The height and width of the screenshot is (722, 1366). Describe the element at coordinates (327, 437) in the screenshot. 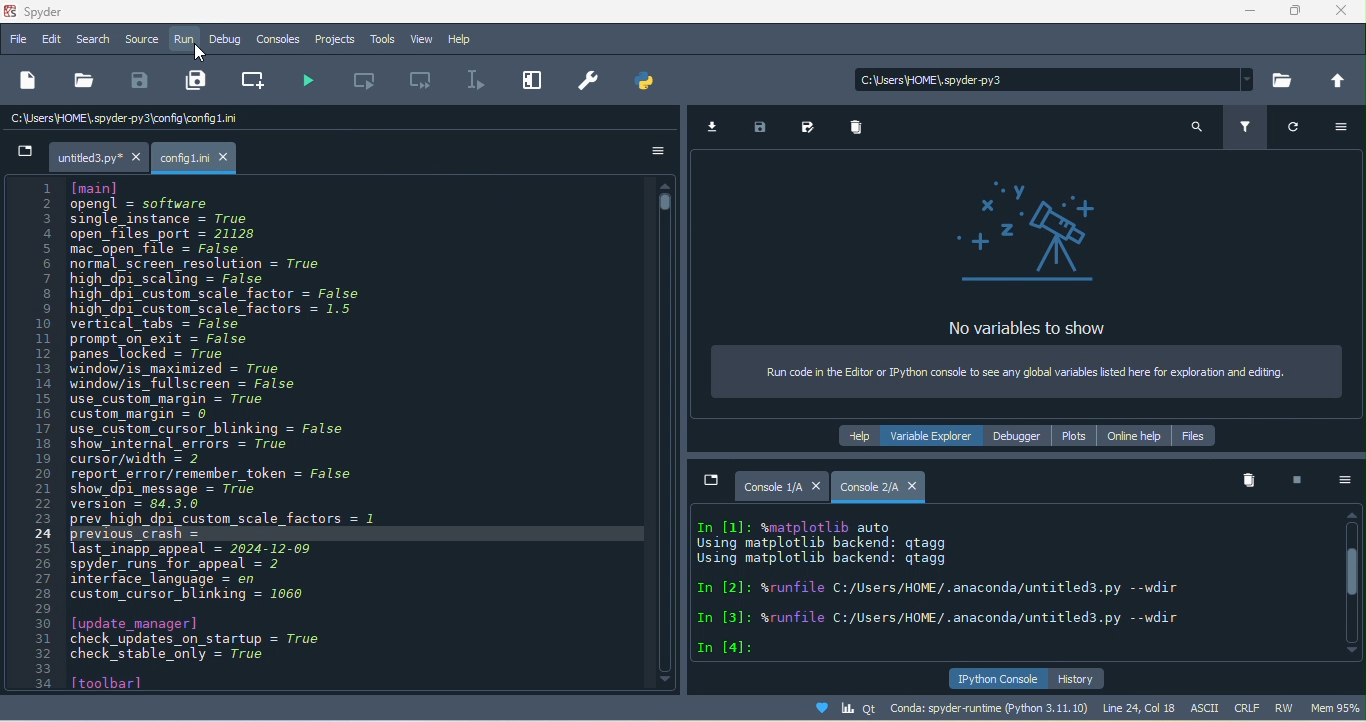

I see `text` at that location.